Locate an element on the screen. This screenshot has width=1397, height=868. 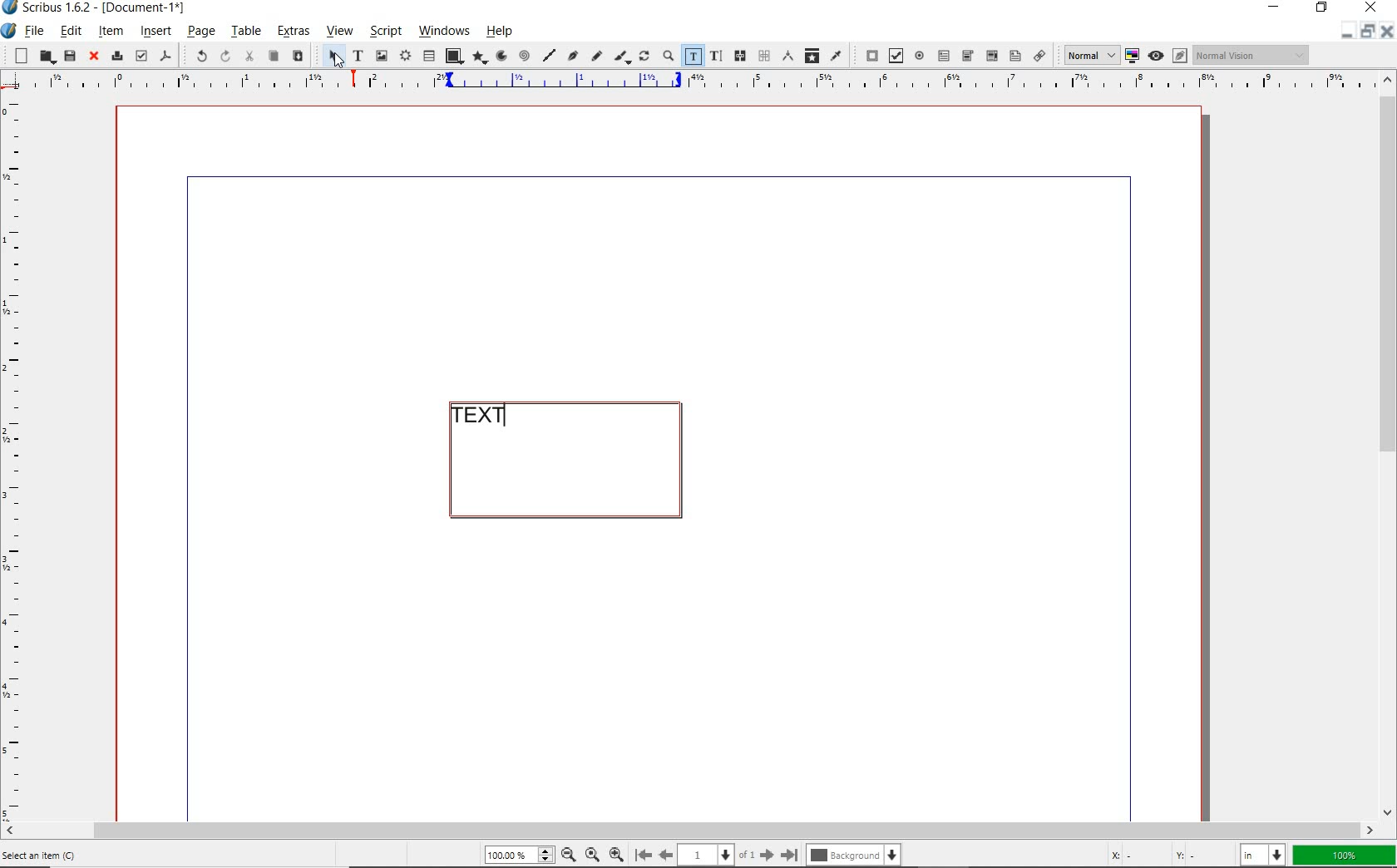
toggle color is located at coordinates (1133, 55).